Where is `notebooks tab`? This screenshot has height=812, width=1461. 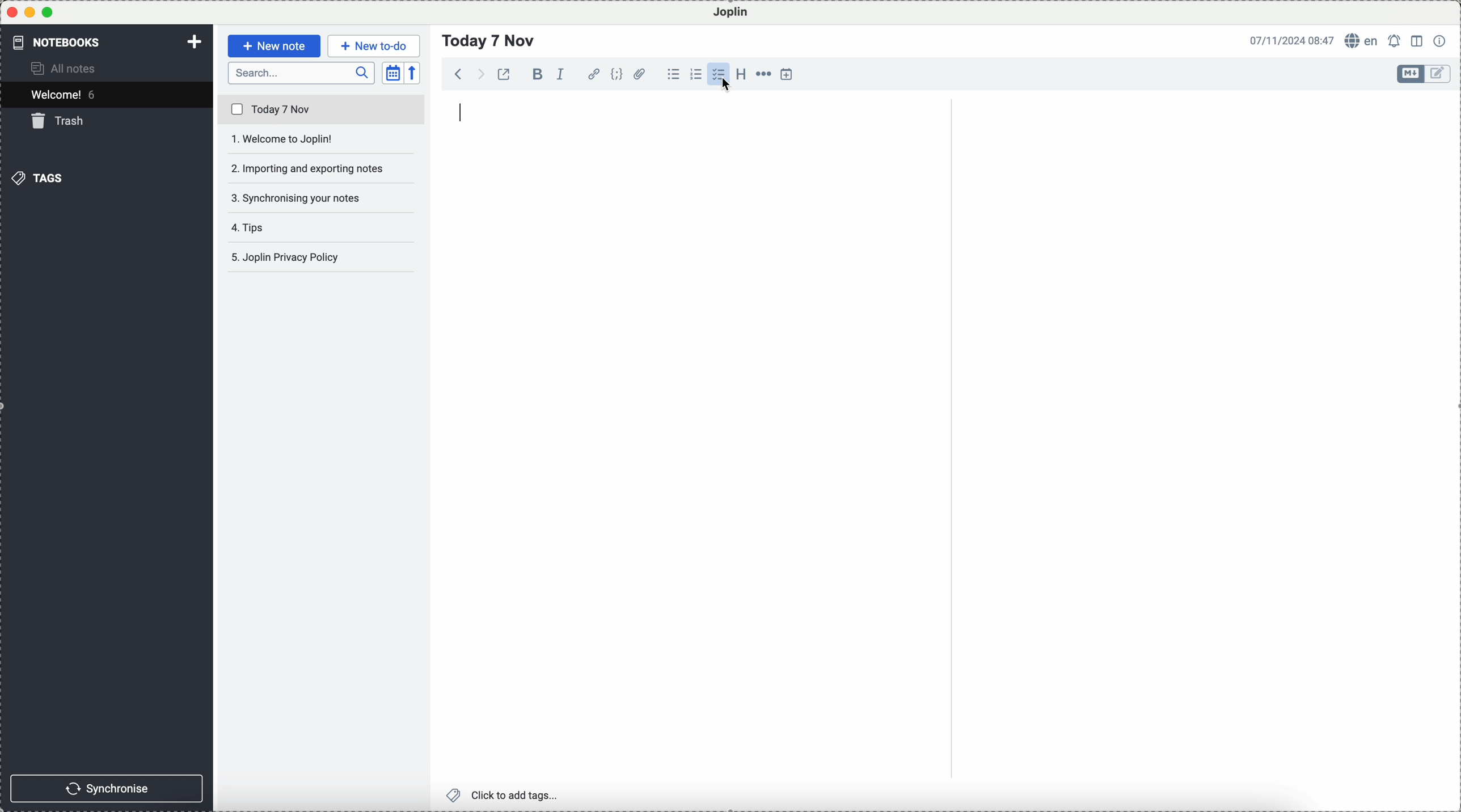
notebooks tab is located at coordinates (66, 42).